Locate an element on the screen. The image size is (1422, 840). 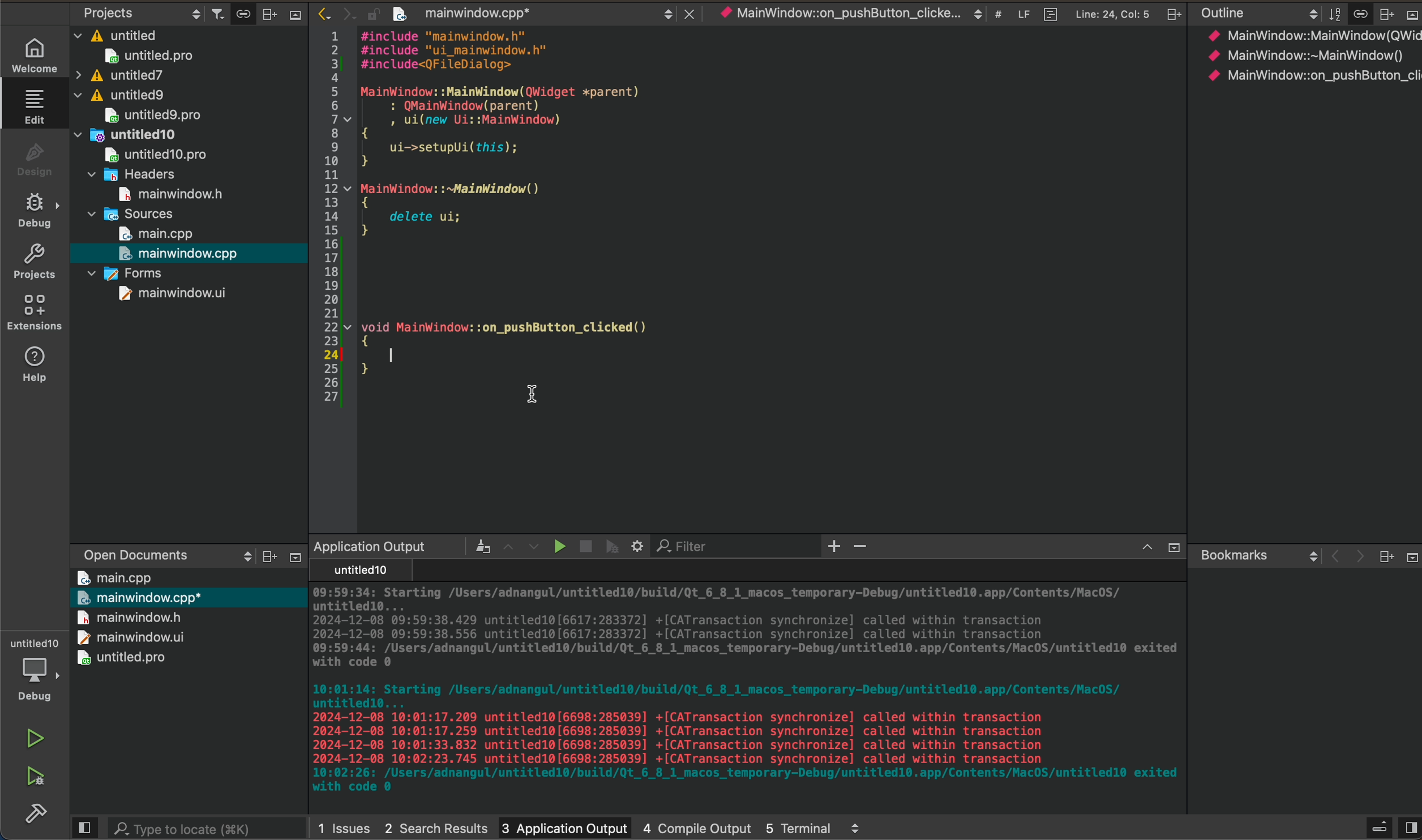
up is located at coordinates (505, 545).